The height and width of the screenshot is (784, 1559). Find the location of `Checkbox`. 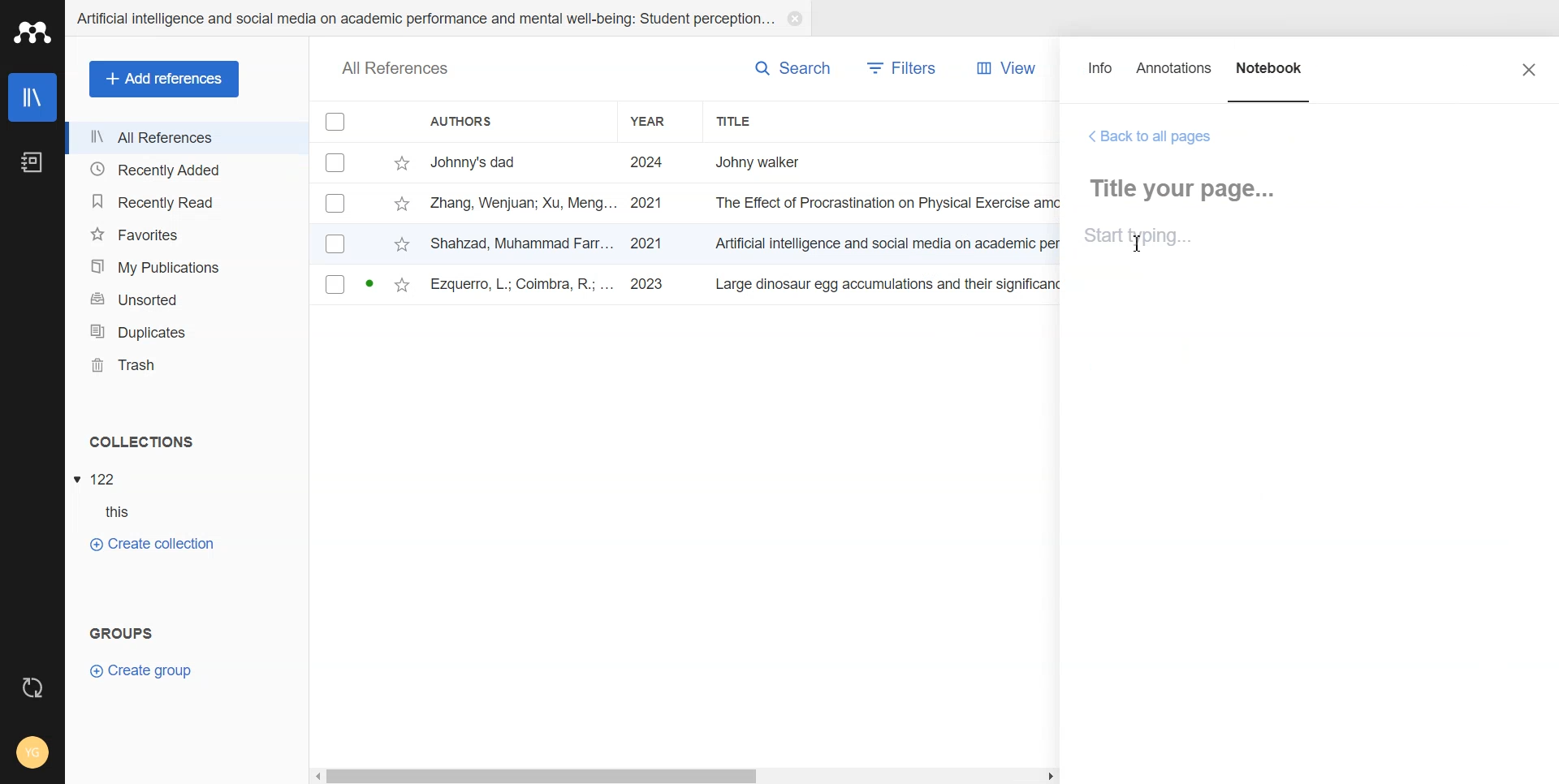

Checkbox is located at coordinates (337, 121).